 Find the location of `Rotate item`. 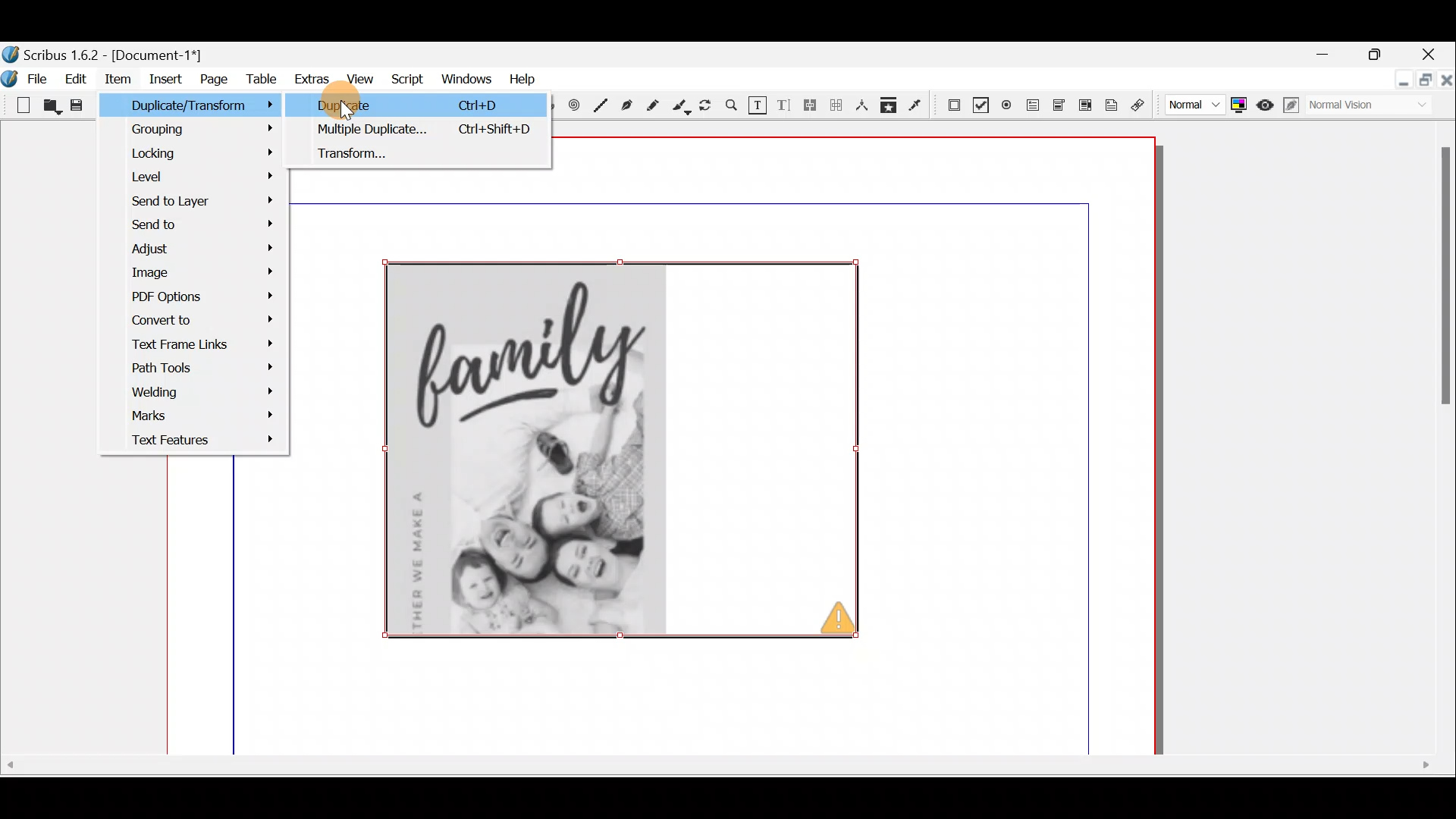

Rotate item is located at coordinates (708, 106).